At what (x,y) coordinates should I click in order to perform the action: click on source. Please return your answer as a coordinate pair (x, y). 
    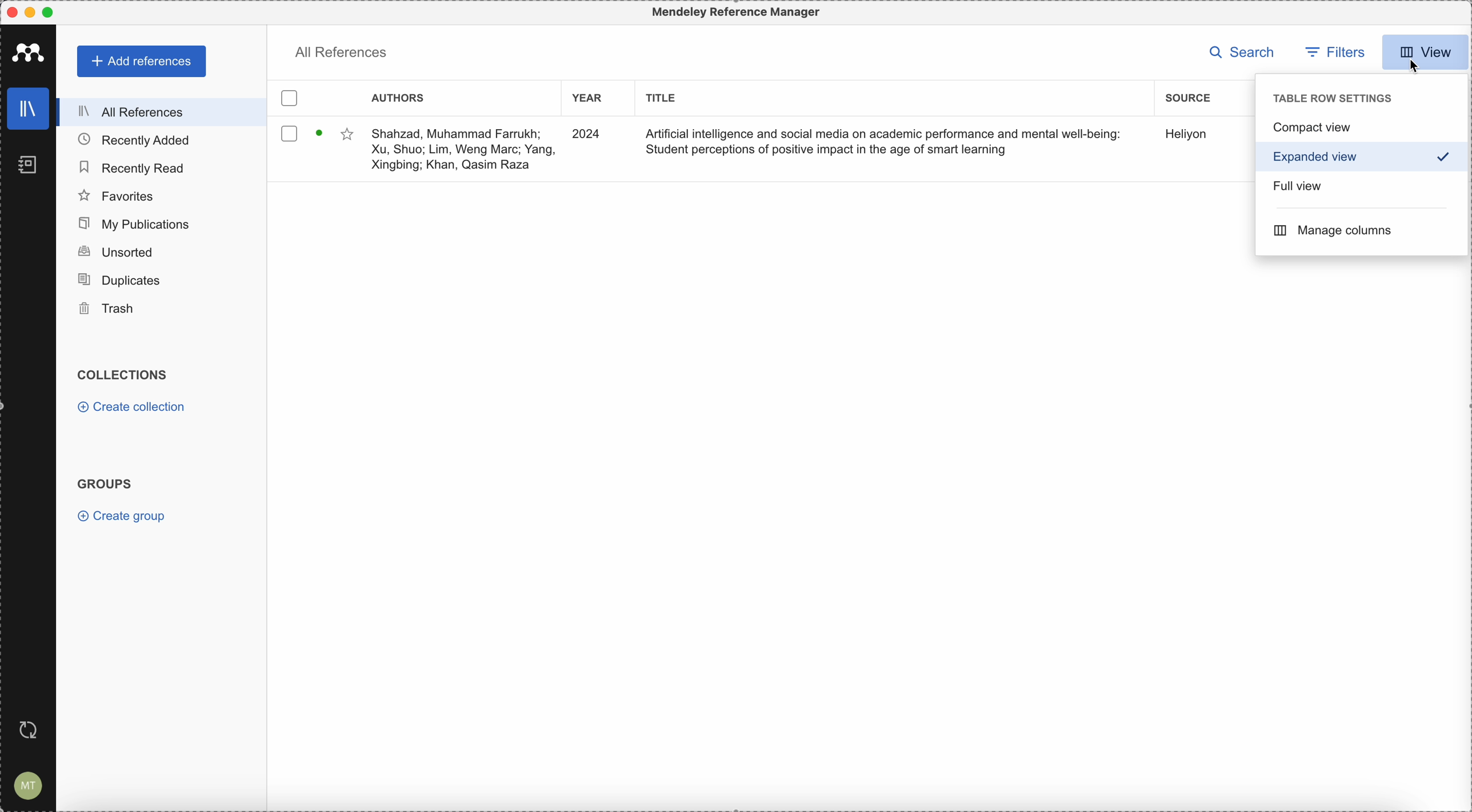
    Looking at the image, I should click on (1188, 99).